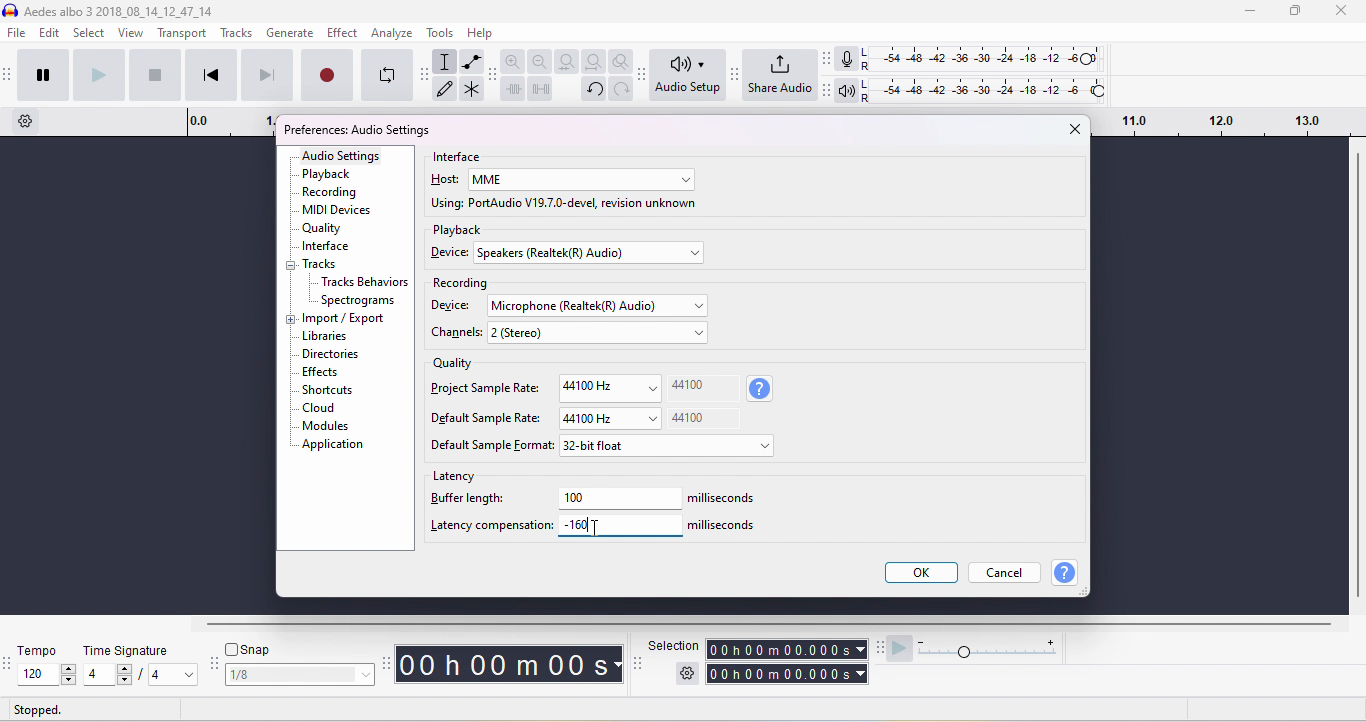 This screenshot has height=722, width=1366. I want to click on audacity transport toolbar, so click(9, 74).